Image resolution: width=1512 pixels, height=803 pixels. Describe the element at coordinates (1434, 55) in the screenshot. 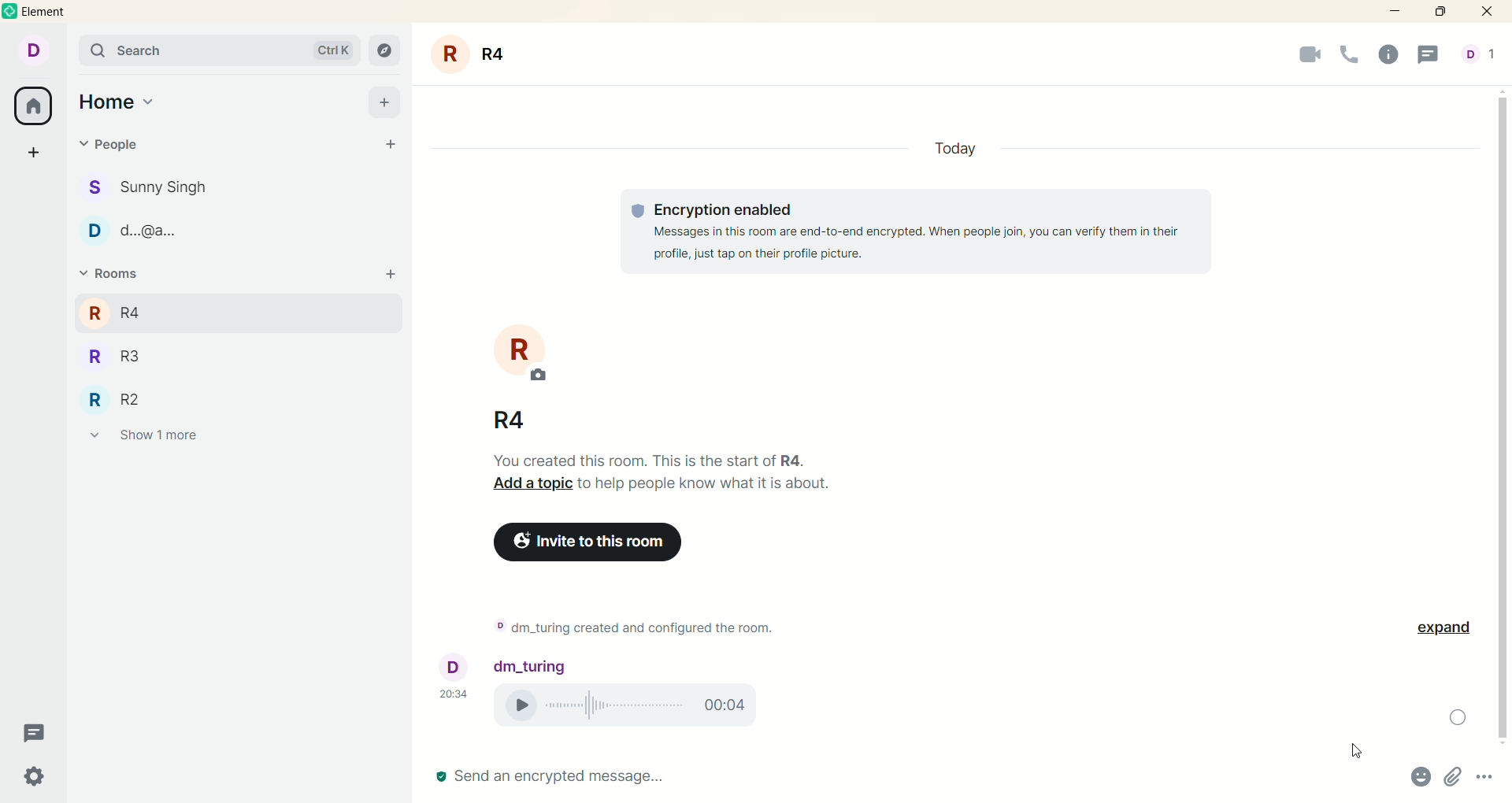

I see `threads` at that location.